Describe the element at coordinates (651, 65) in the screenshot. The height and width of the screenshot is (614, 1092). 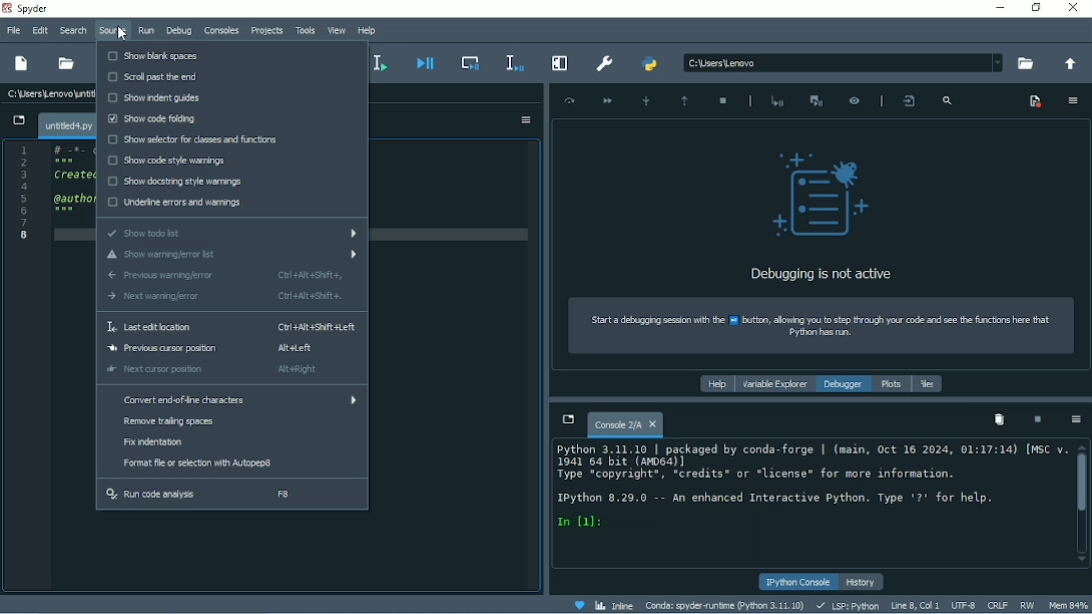
I see `PYTHONPATH manager` at that location.